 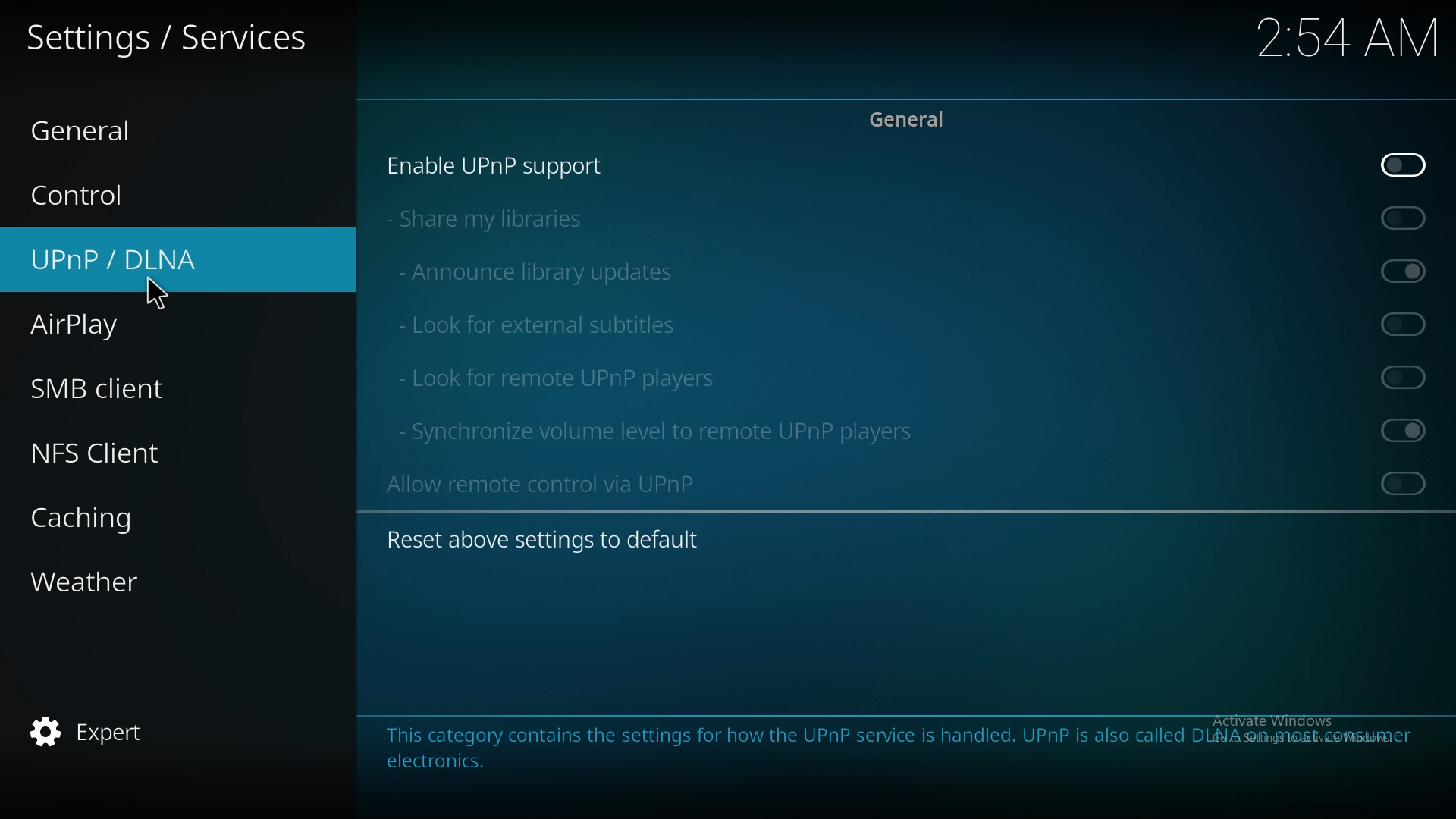 What do you see at coordinates (510, 165) in the screenshot?
I see `enable upnp support` at bounding box center [510, 165].